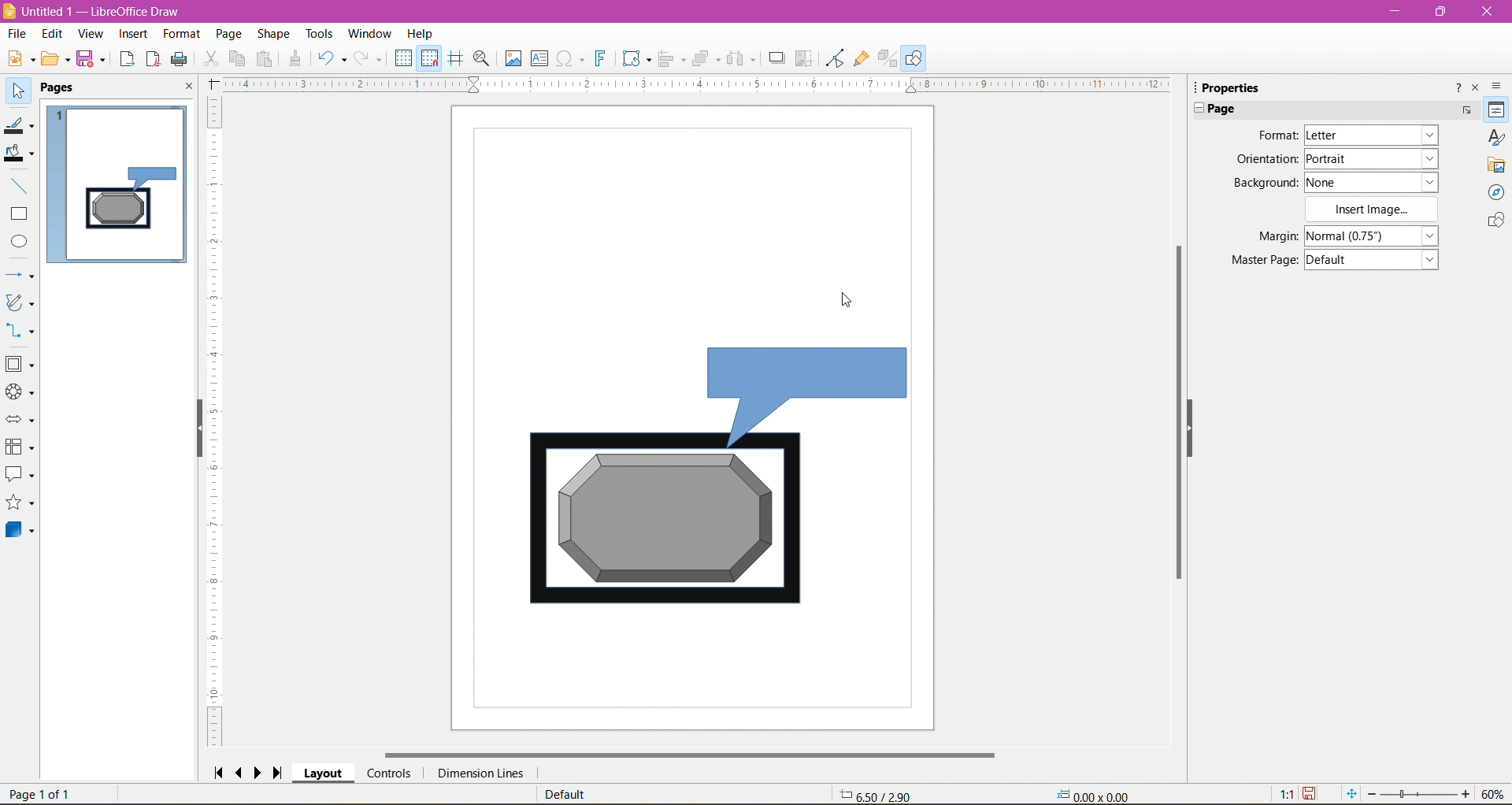  I want to click on 1:1, so click(1284, 794).